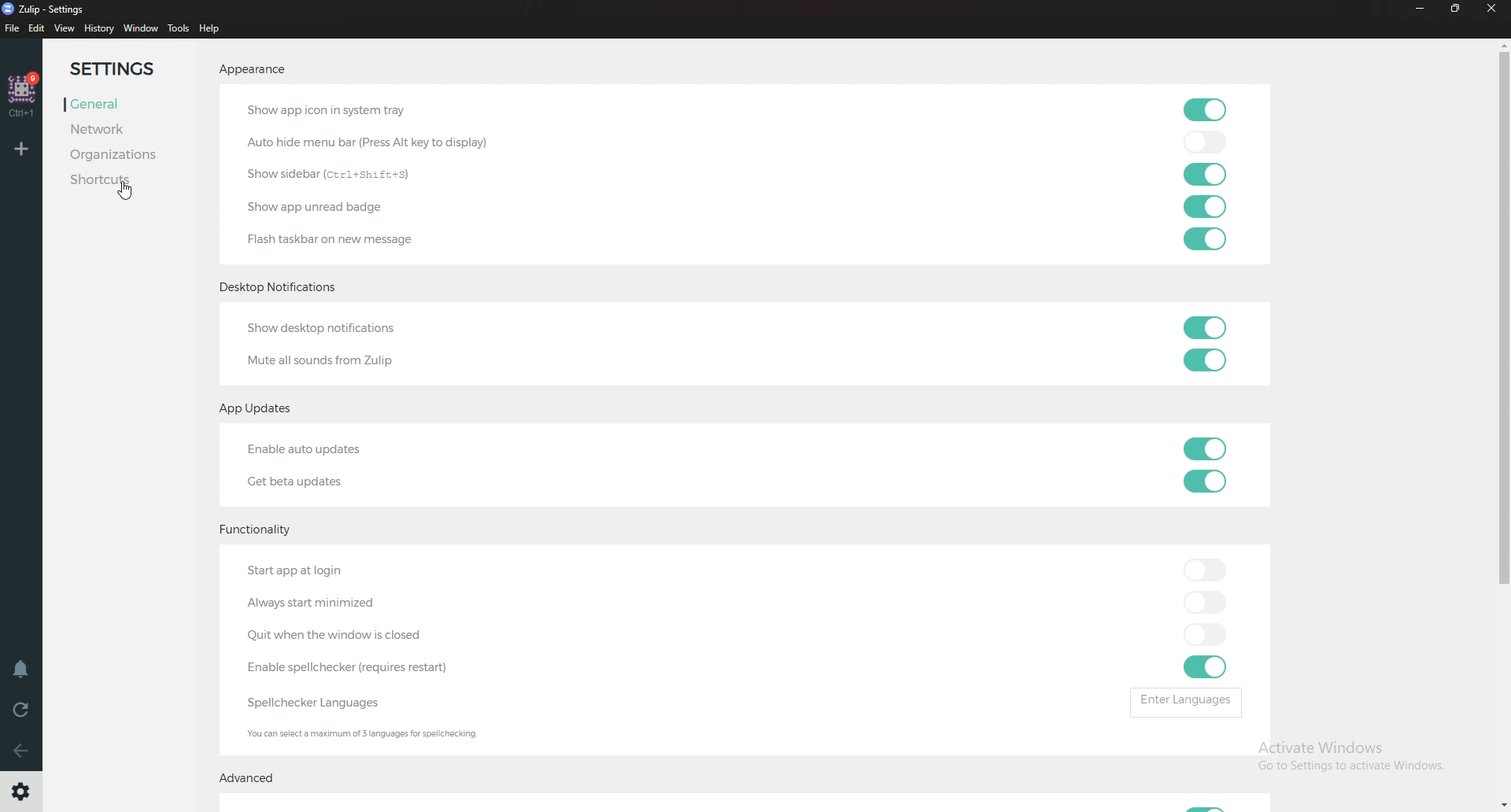 Image resolution: width=1511 pixels, height=812 pixels. Describe the element at coordinates (1204, 483) in the screenshot. I see `toggle` at that location.